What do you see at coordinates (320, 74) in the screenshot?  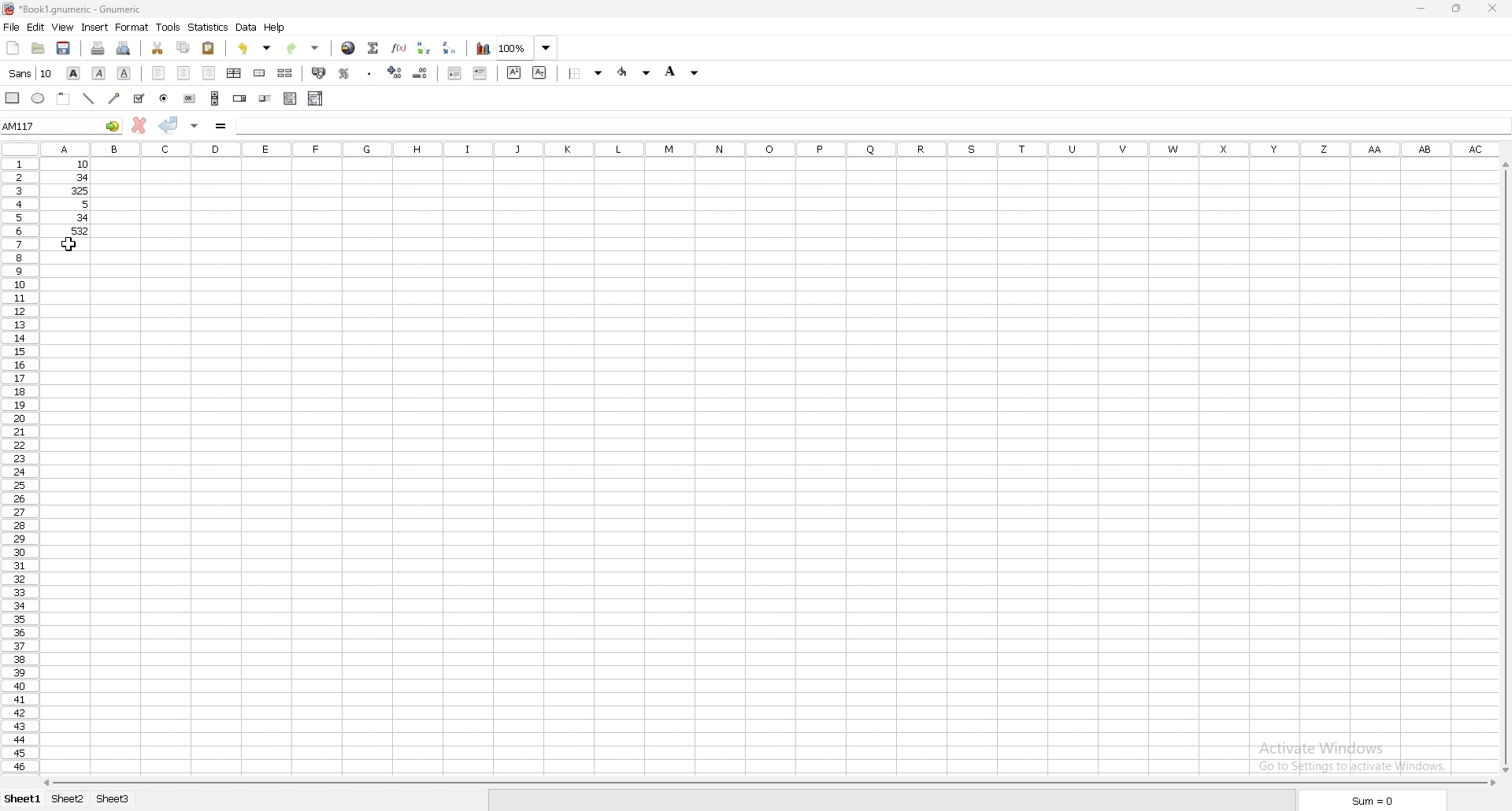 I see `accounting` at bounding box center [320, 74].